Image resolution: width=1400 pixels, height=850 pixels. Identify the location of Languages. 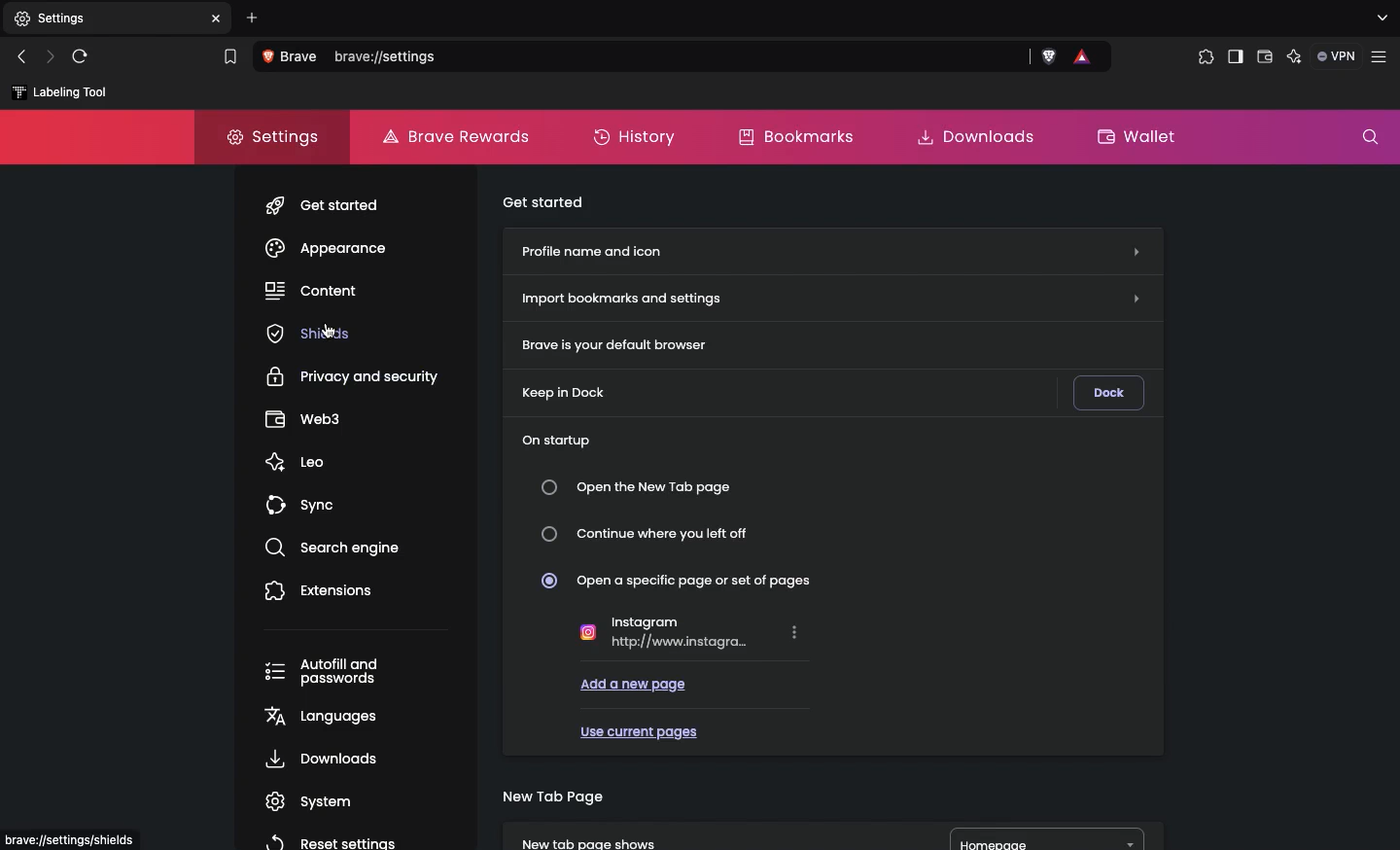
(321, 714).